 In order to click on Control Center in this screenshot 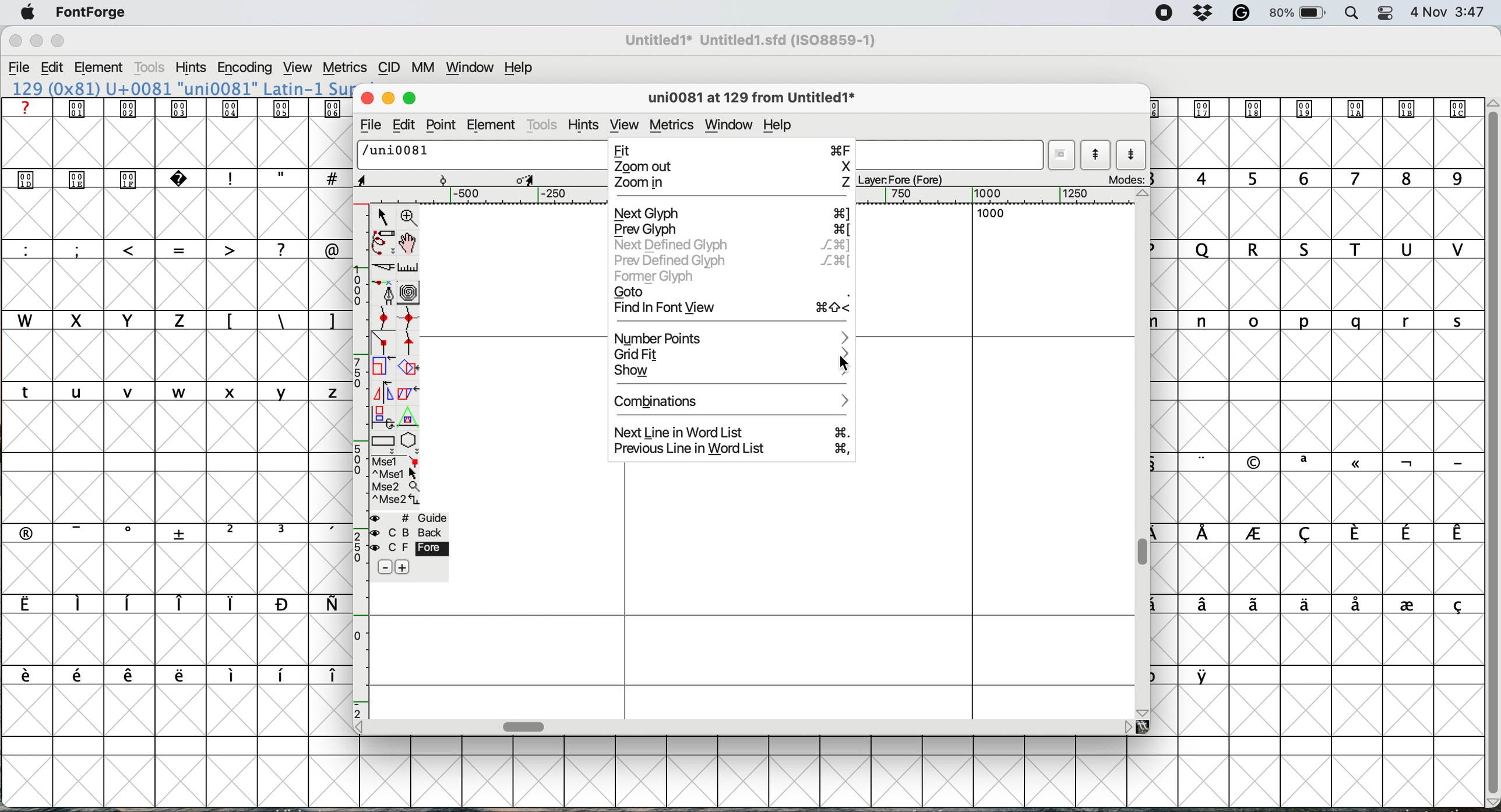, I will do `click(1385, 14)`.